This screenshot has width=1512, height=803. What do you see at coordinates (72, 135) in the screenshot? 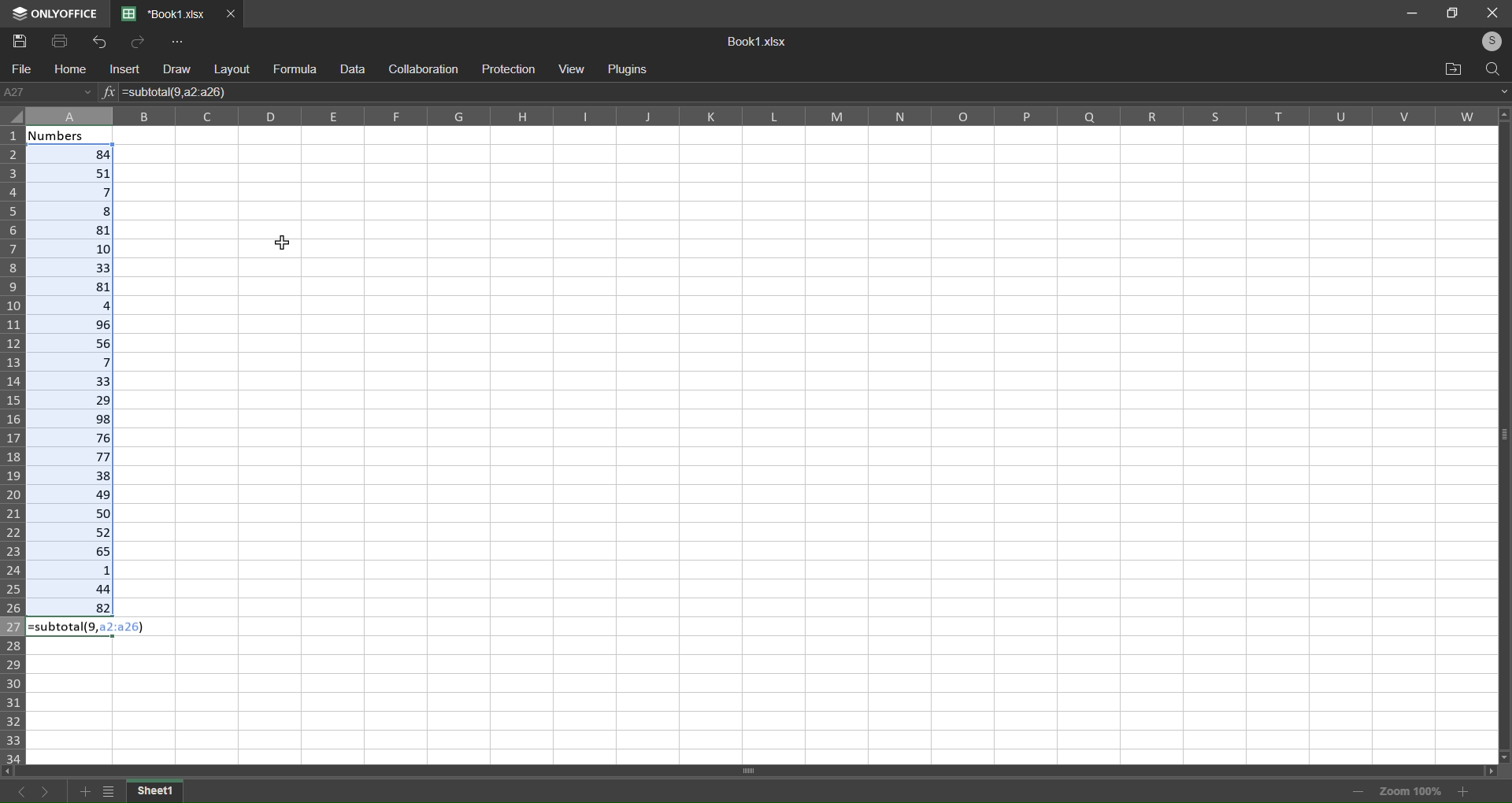
I see `Numbers` at bounding box center [72, 135].